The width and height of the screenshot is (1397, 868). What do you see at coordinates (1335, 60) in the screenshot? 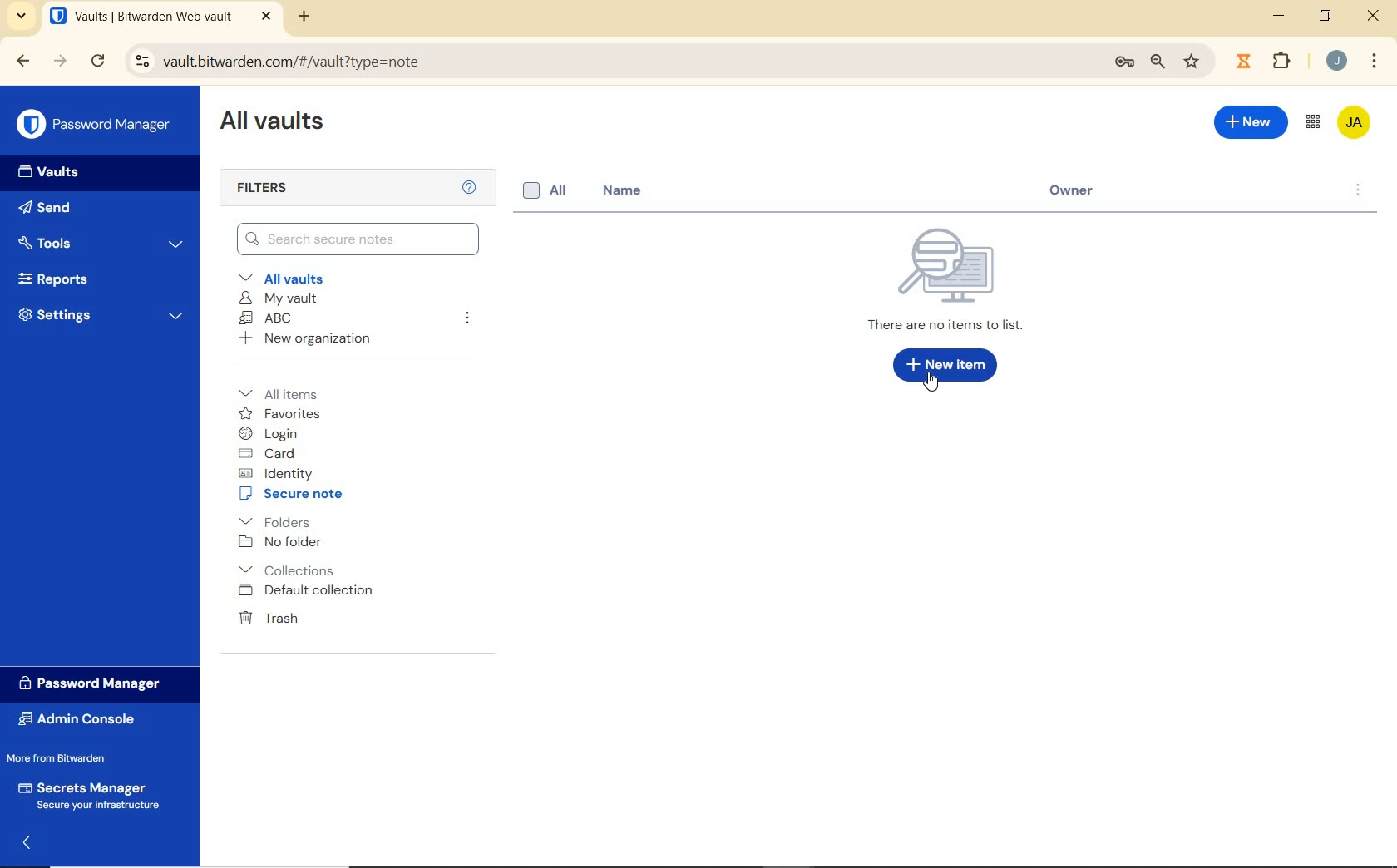
I see `Account` at bounding box center [1335, 60].